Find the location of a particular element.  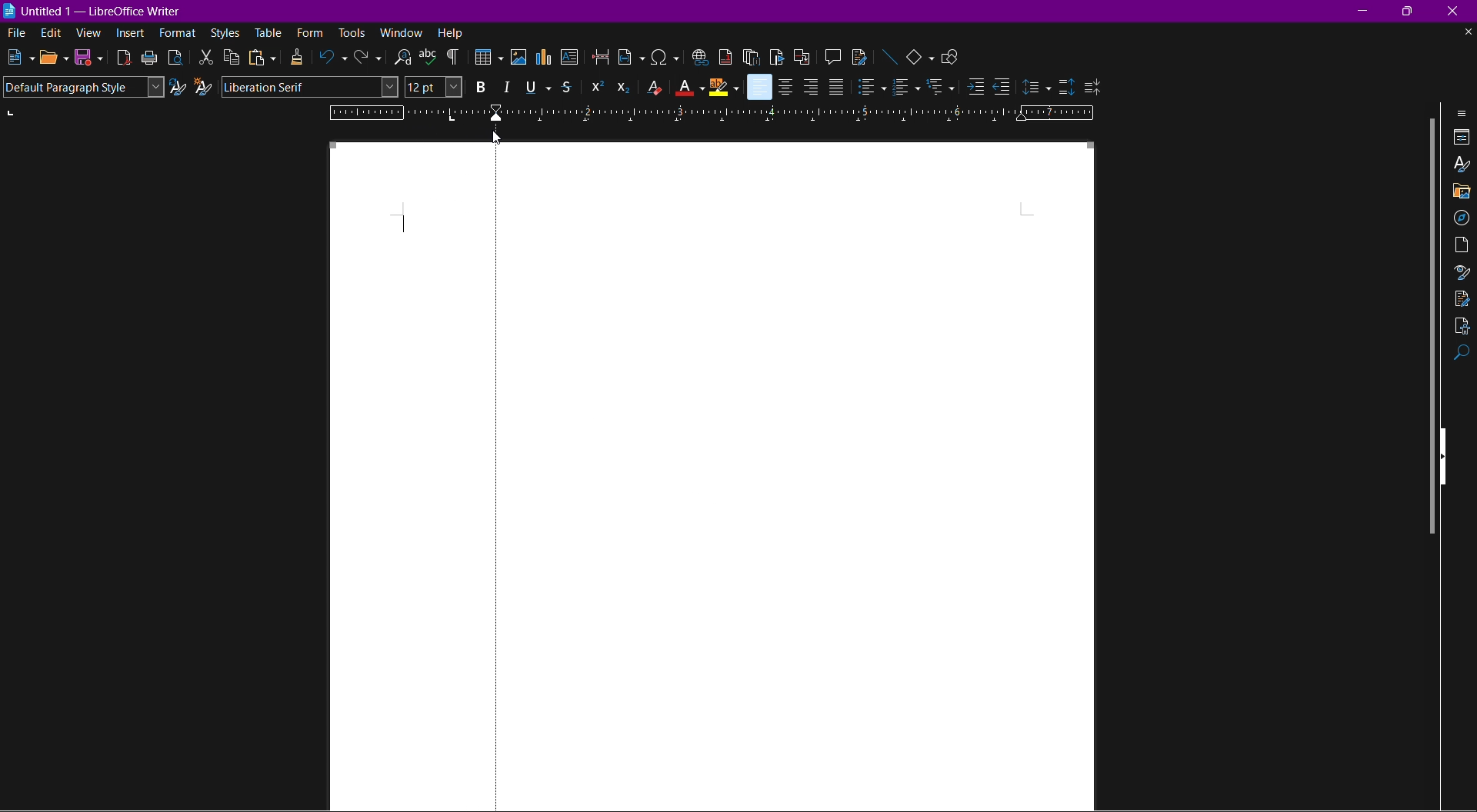

Justified is located at coordinates (836, 87).